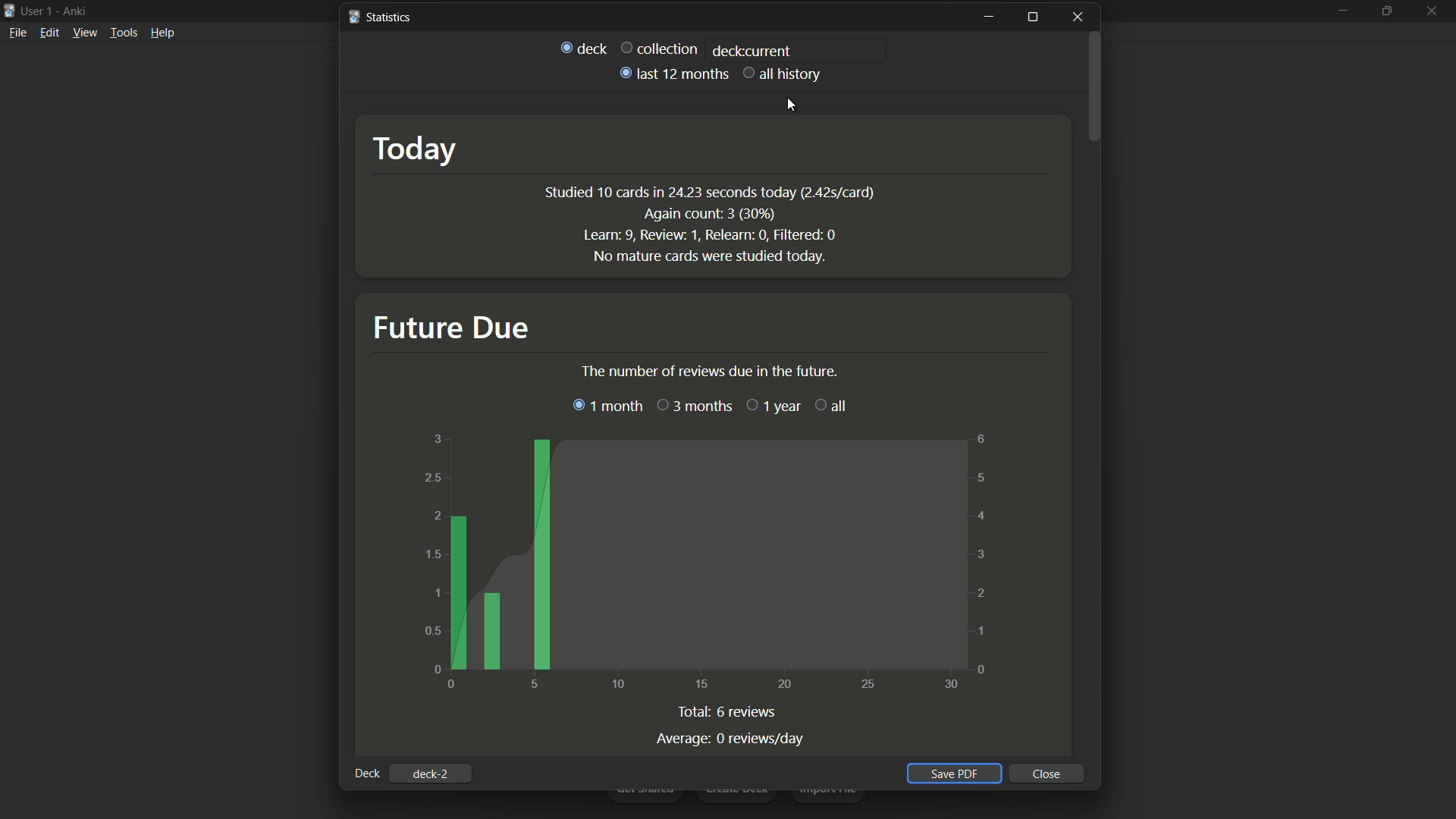 The image size is (1456, 819). I want to click on Maximize, so click(1032, 17).